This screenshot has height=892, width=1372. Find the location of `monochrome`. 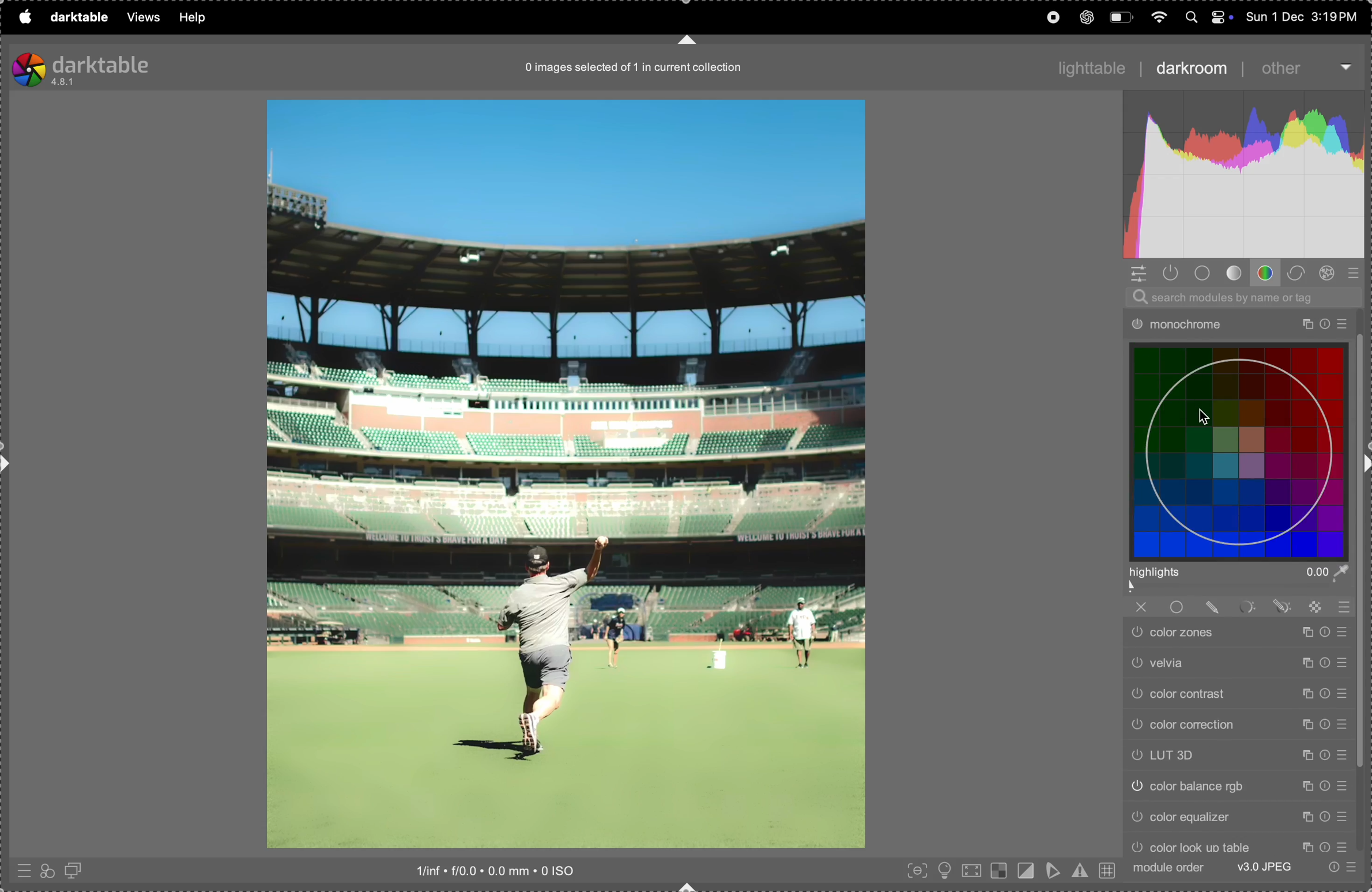

monochrome is located at coordinates (1235, 323).